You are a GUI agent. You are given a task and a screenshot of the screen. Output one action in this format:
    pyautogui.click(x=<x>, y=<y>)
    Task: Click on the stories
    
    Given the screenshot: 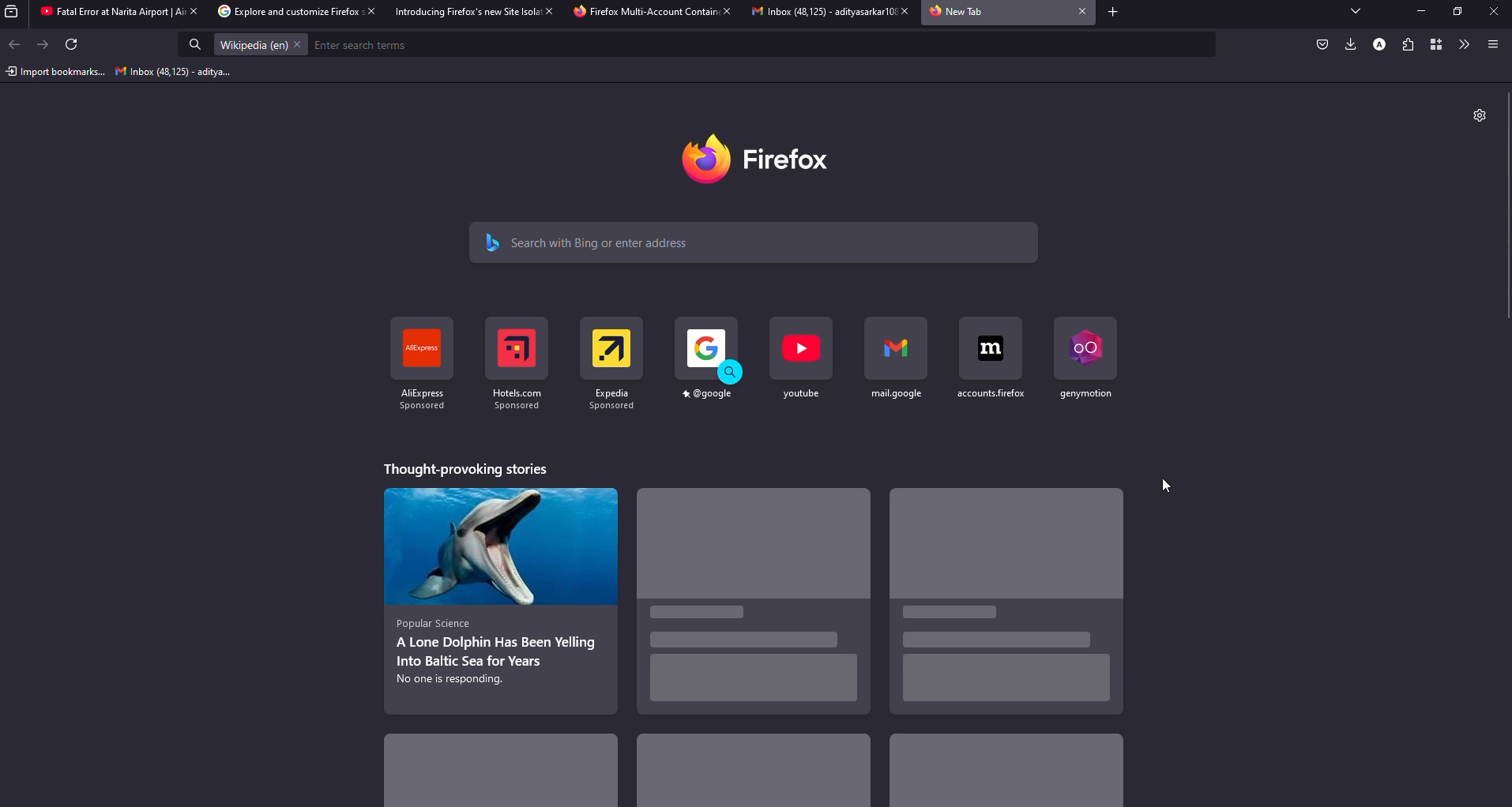 What is the action you would take?
    pyautogui.click(x=1004, y=602)
    